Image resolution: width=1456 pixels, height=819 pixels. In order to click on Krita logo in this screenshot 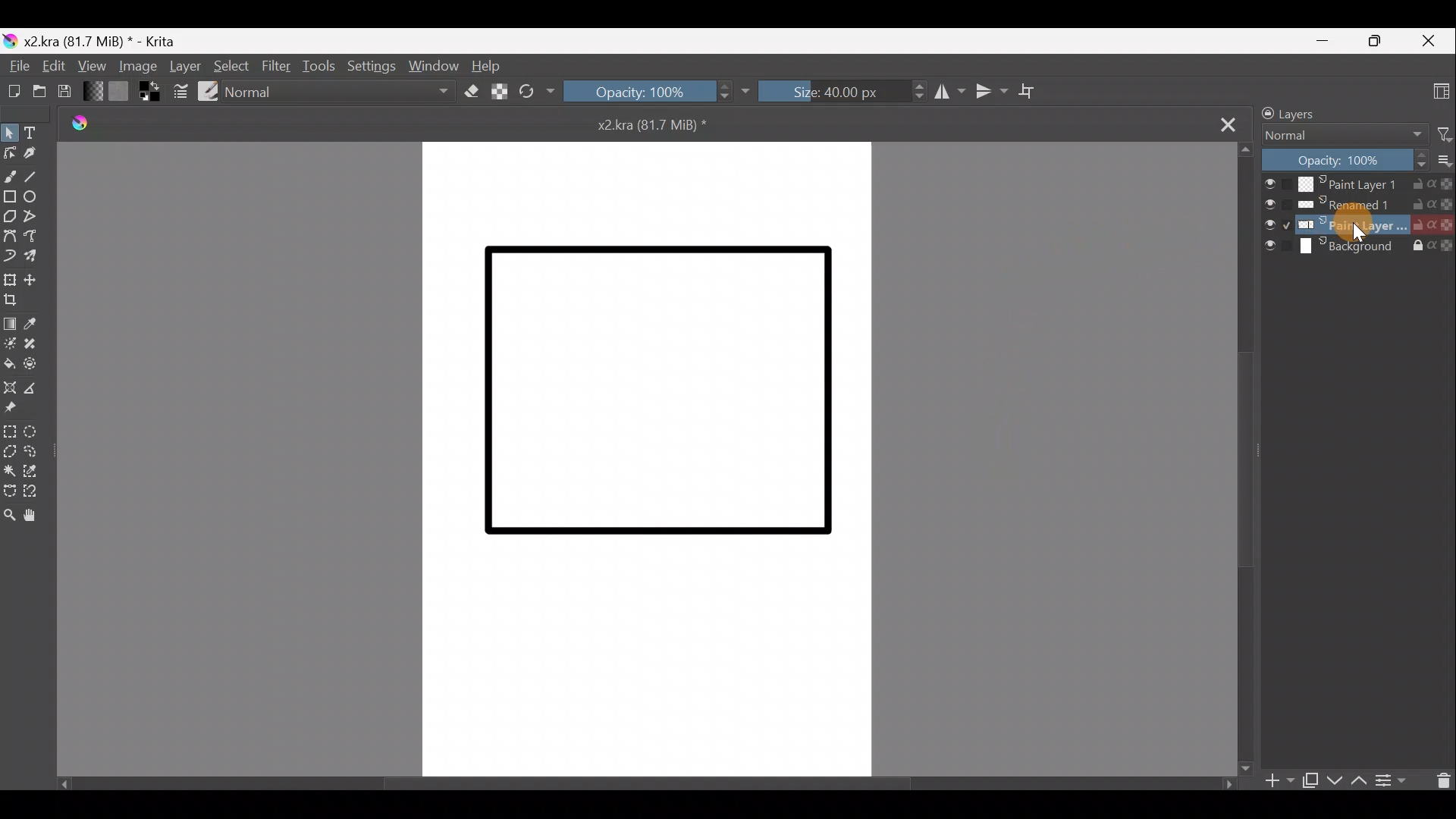, I will do `click(10, 39)`.